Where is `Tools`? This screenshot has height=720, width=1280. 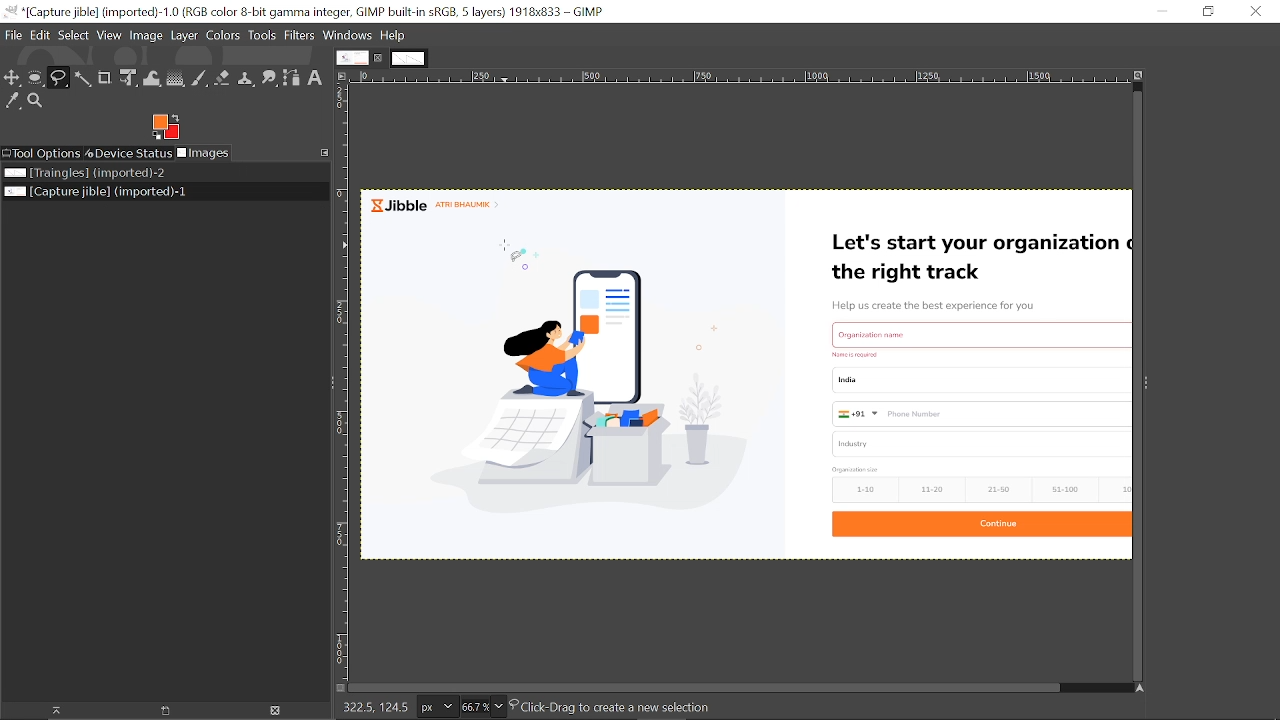 Tools is located at coordinates (262, 36).